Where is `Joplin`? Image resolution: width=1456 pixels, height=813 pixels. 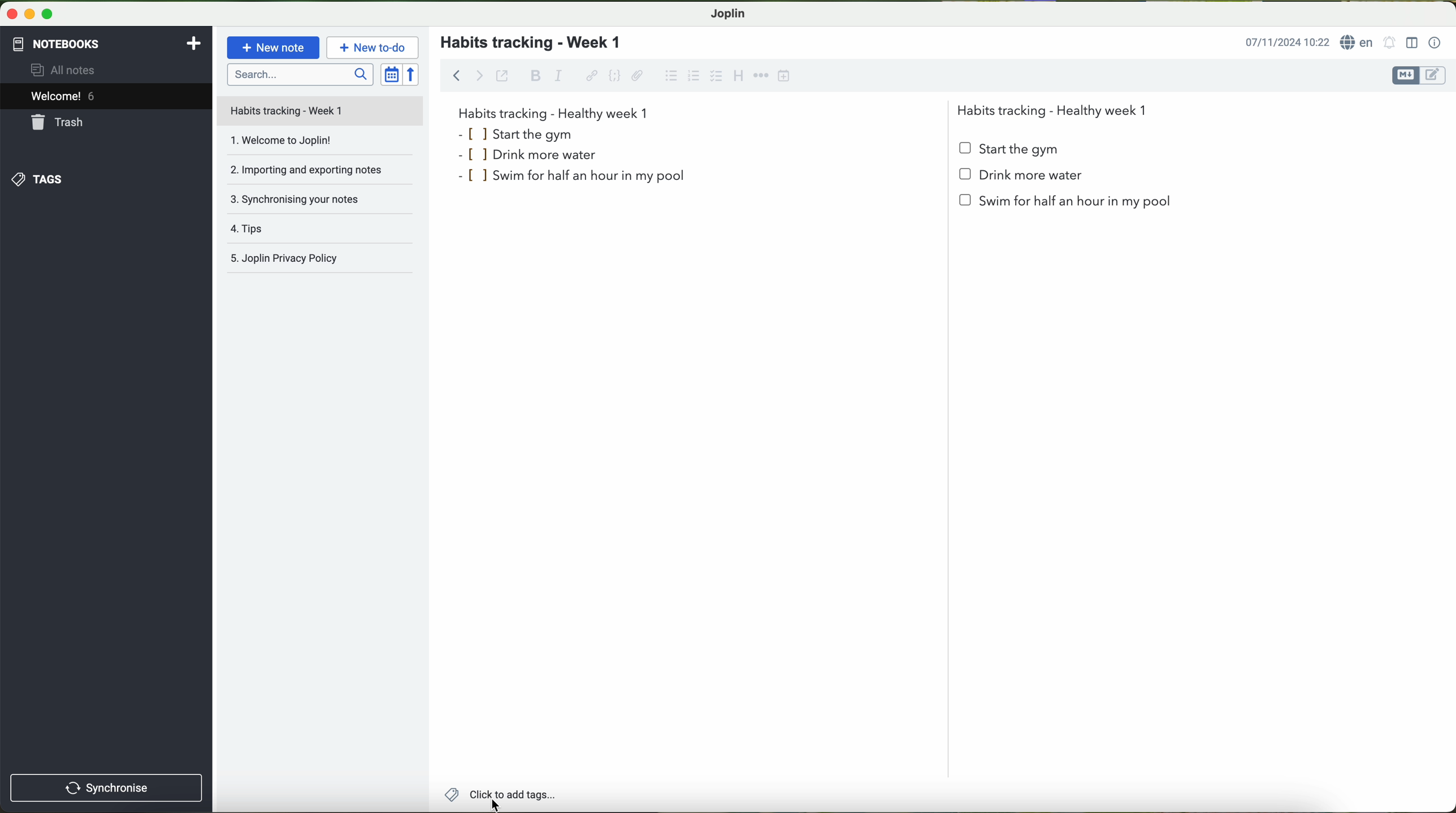
Joplin is located at coordinates (727, 14).